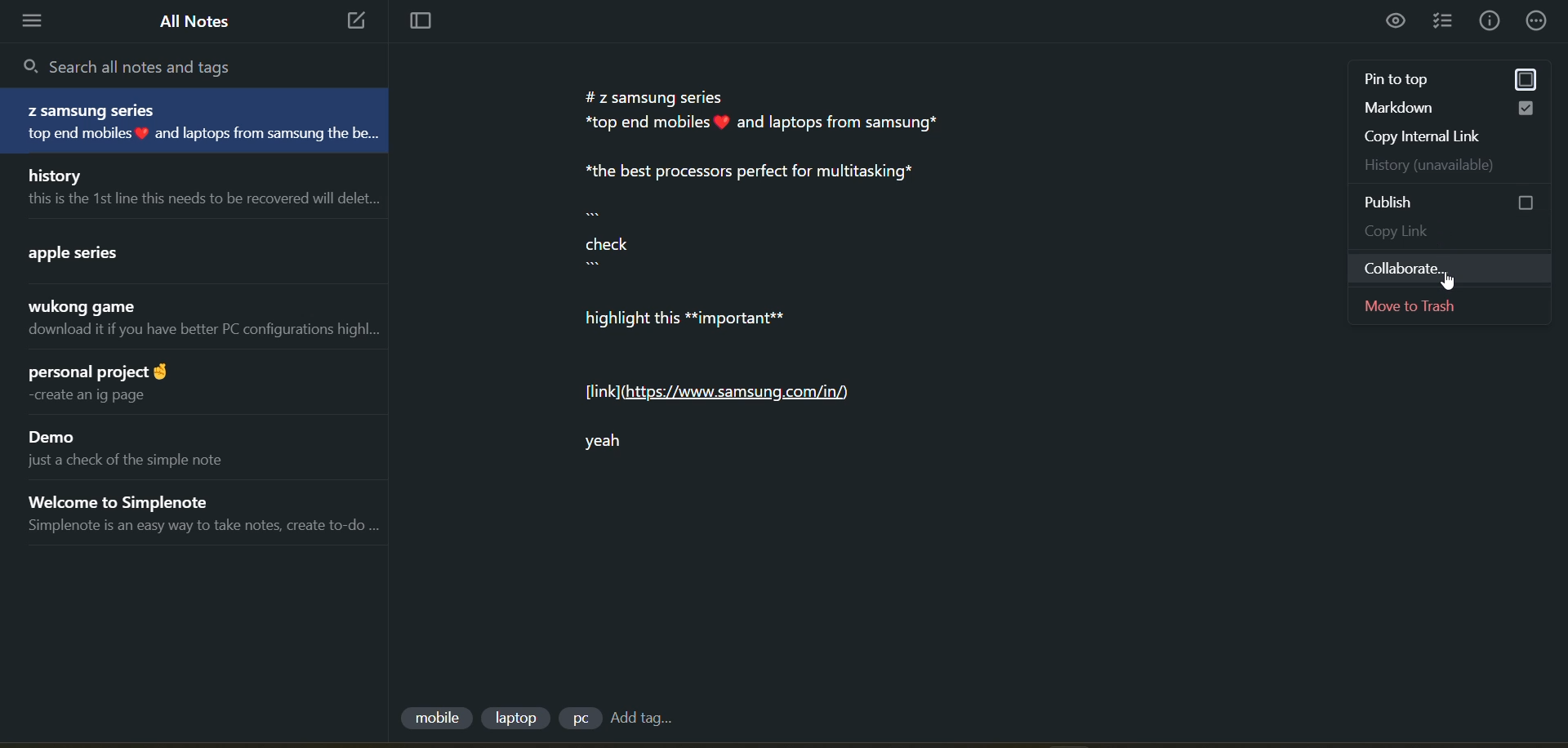 The width and height of the screenshot is (1568, 748). I want to click on move to trash, so click(1463, 309).